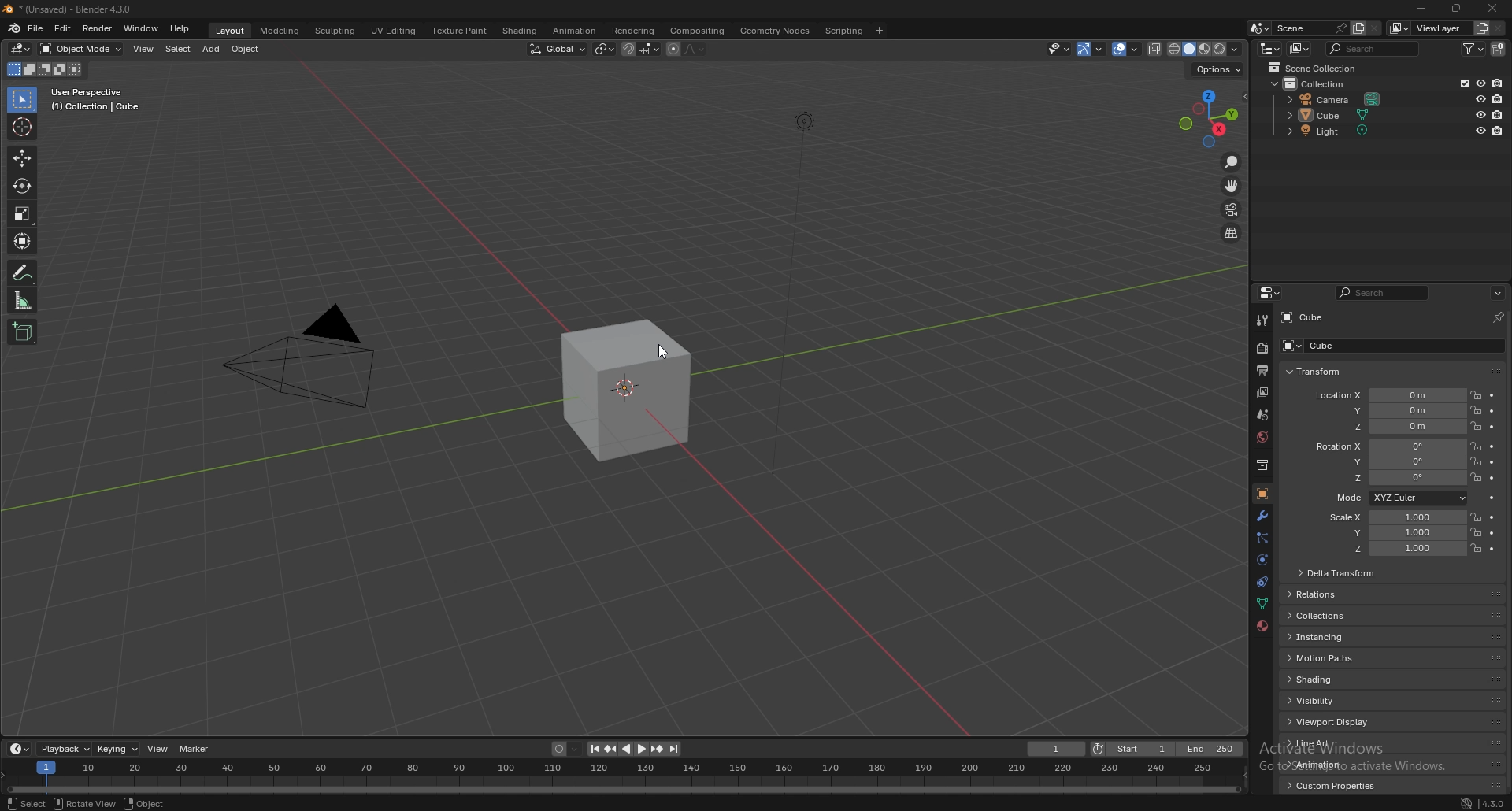 Image resolution: width=1512 pixels, height=811 pixels. Describe the element at coordinates (23, 157) in the screenshot. I see `move` at that location.